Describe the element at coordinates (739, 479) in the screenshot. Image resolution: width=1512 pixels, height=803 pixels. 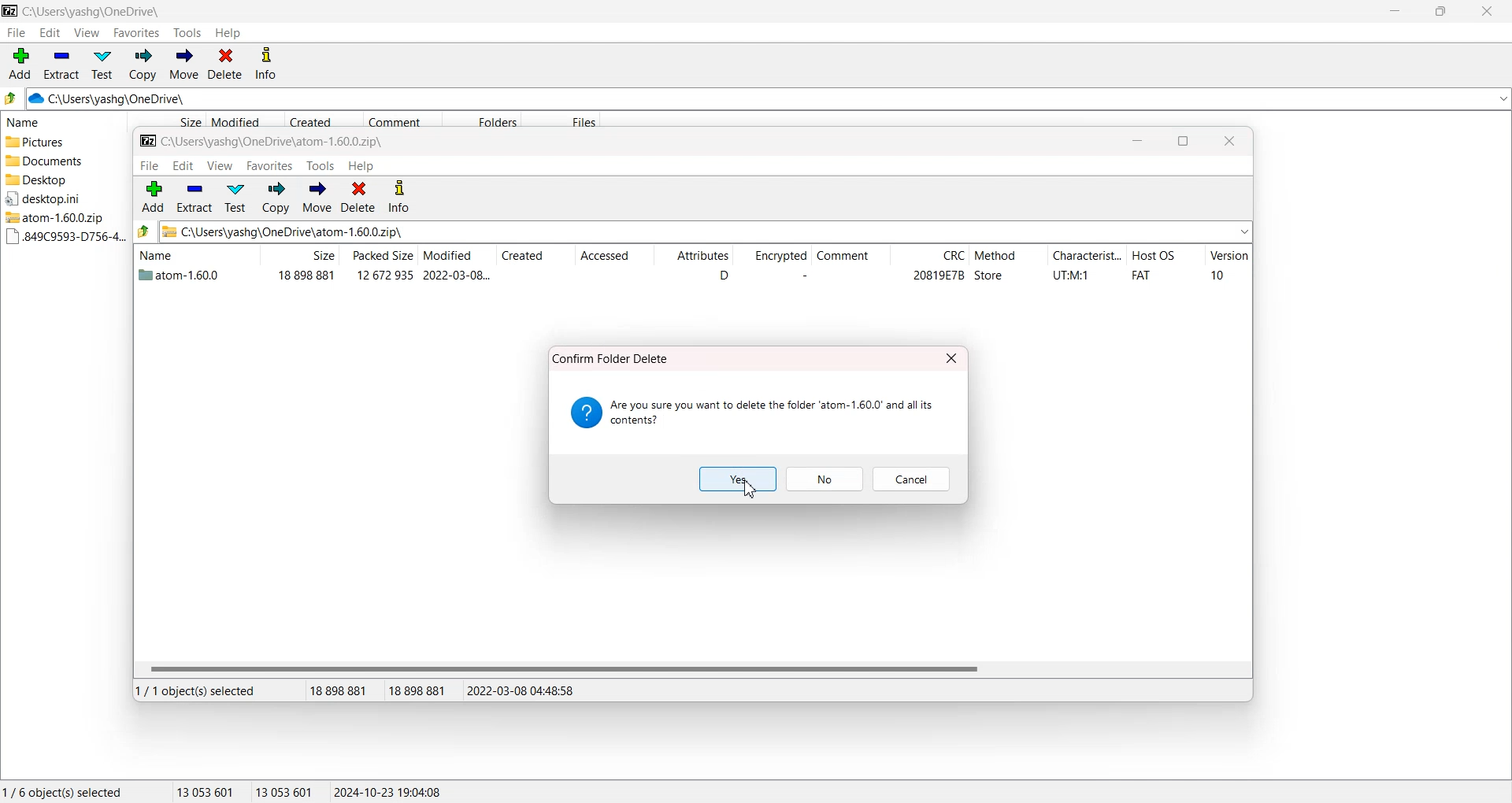
I see `Yes` at that location.